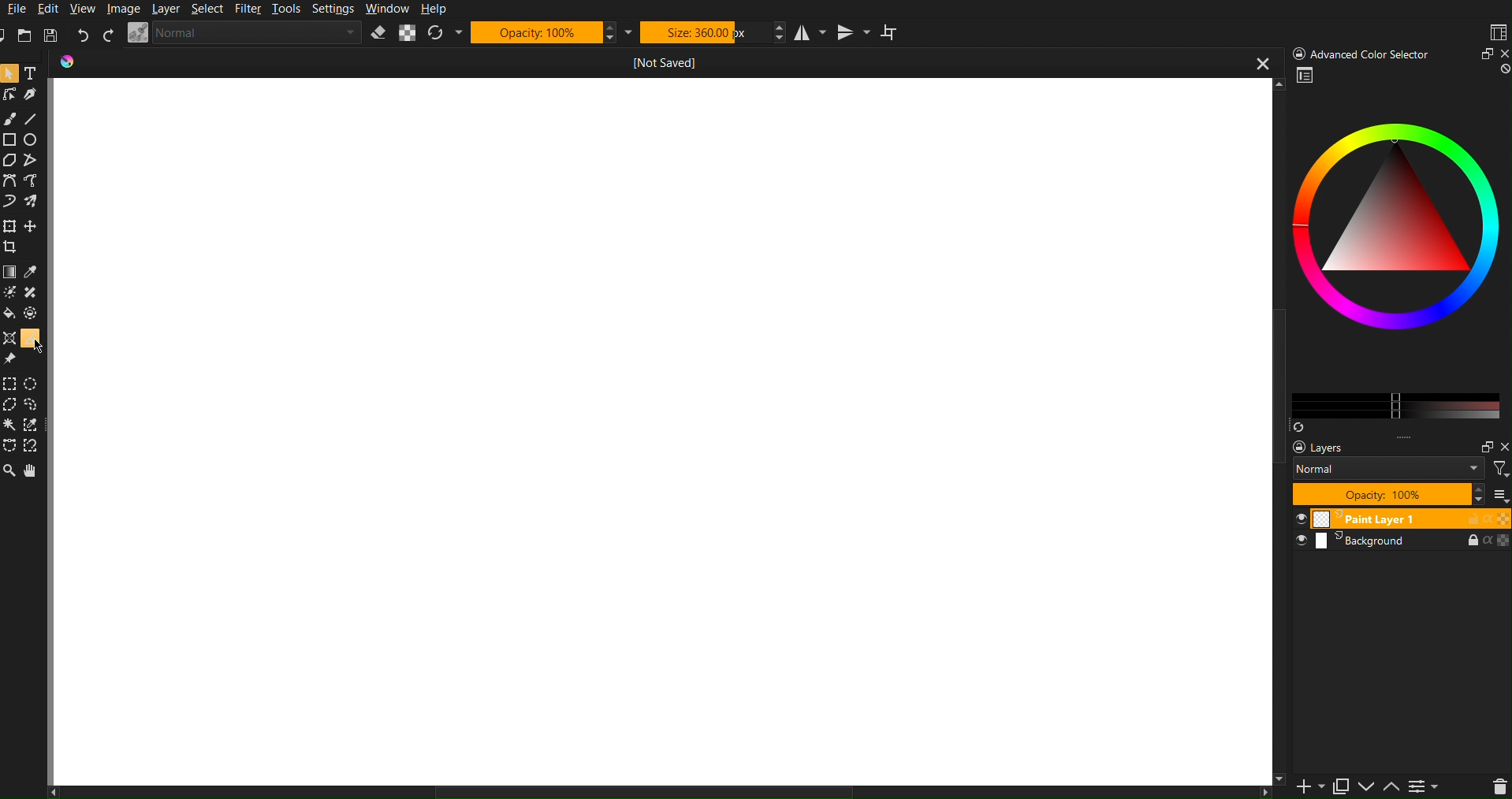 Image resolution: width=1512 pixels, height=799 pixels. What do you see at coordinates (1431, 786) in the screenshot?
I see `Settings` at bounding box center [1431, 786].